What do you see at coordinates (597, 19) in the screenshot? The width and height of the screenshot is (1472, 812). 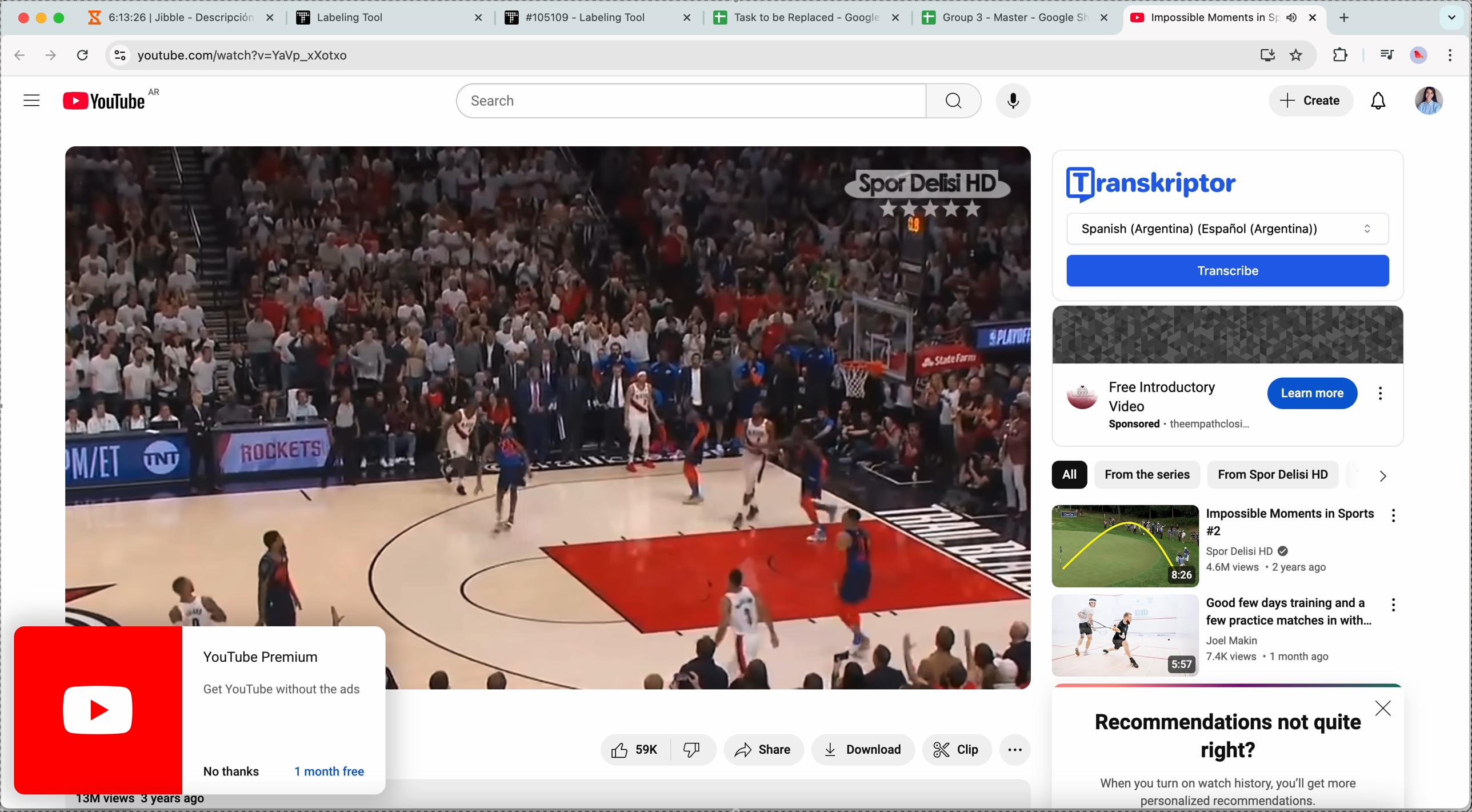 I see `tab` at bounding box center [597, 19].